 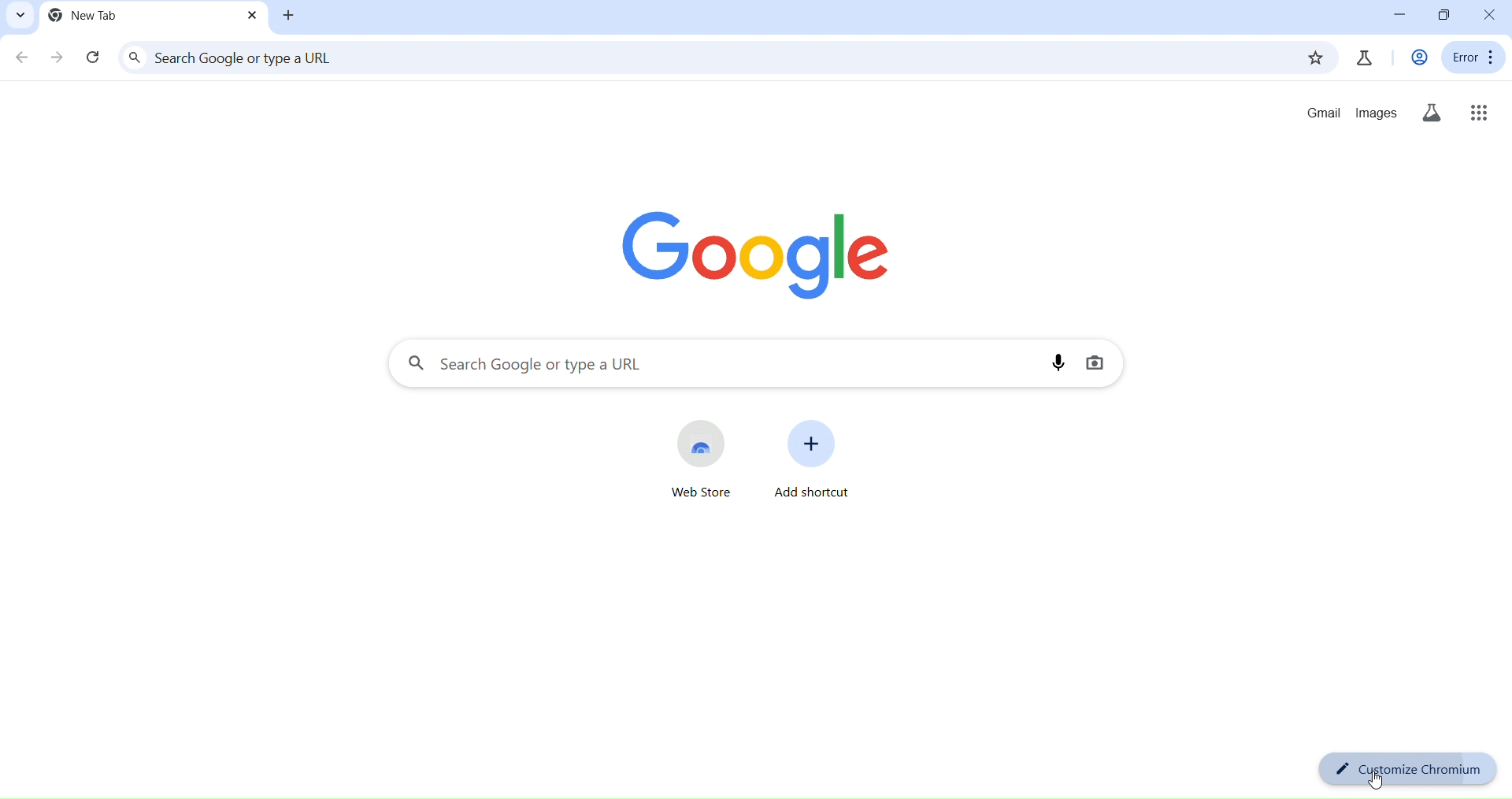 I want to click on search panel, so click(x=726, y=365).